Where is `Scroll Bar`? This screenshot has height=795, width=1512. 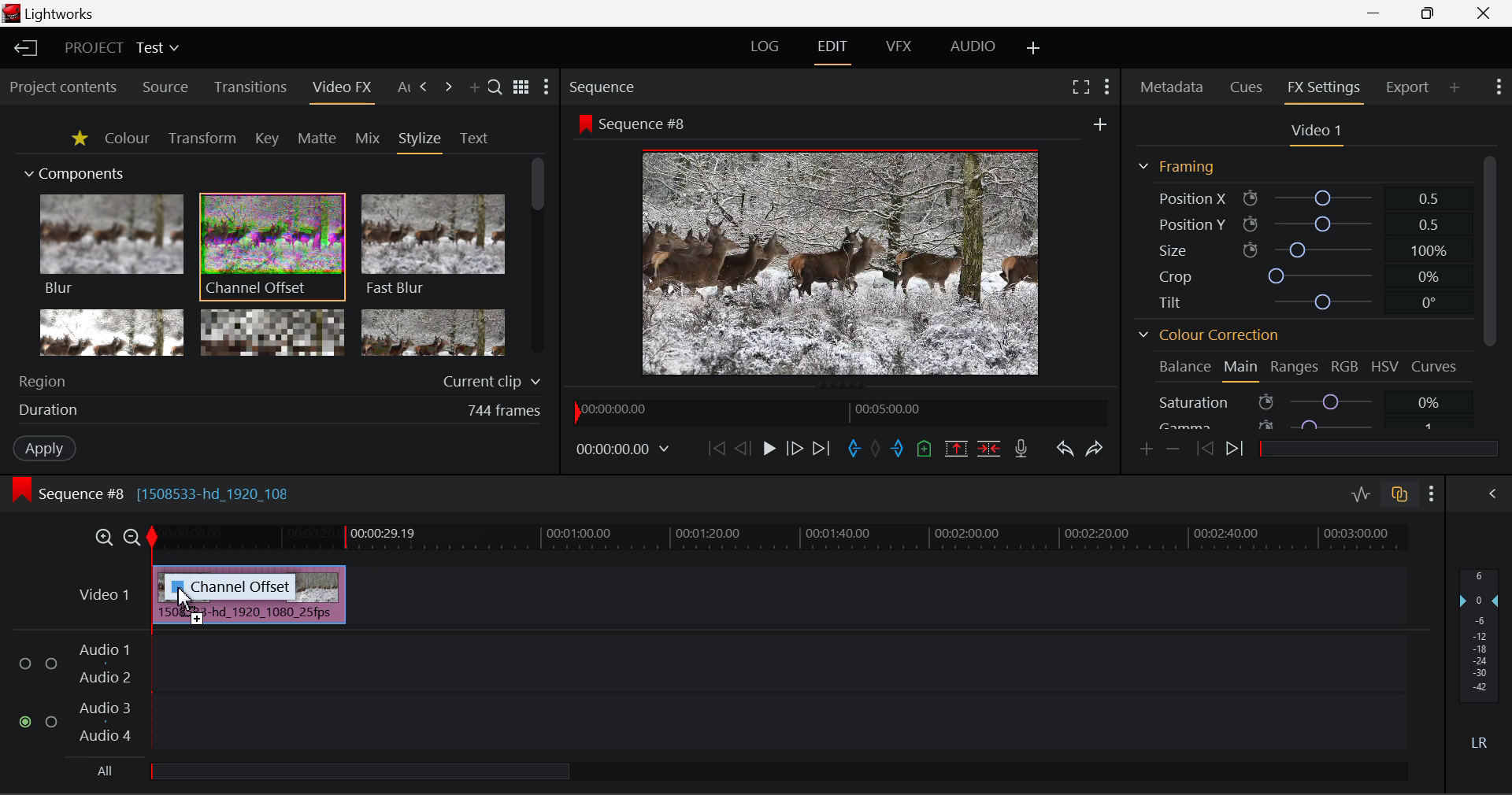 Scroll Bar is located at coordinates (535, 256).